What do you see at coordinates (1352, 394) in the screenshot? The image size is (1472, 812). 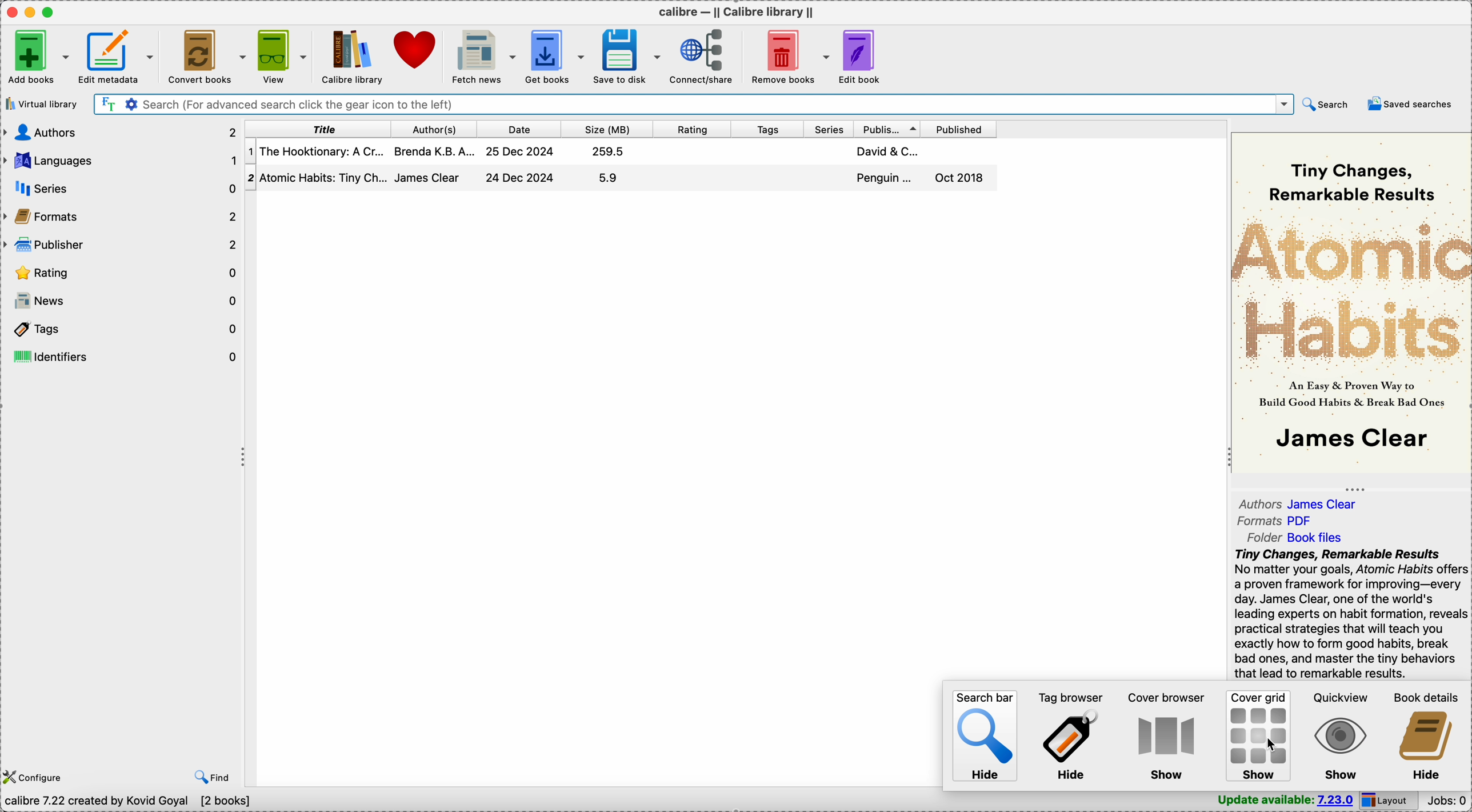 I see `an easy & proven way to build good habits & break bad ones` at bounding box center [1352, 394].